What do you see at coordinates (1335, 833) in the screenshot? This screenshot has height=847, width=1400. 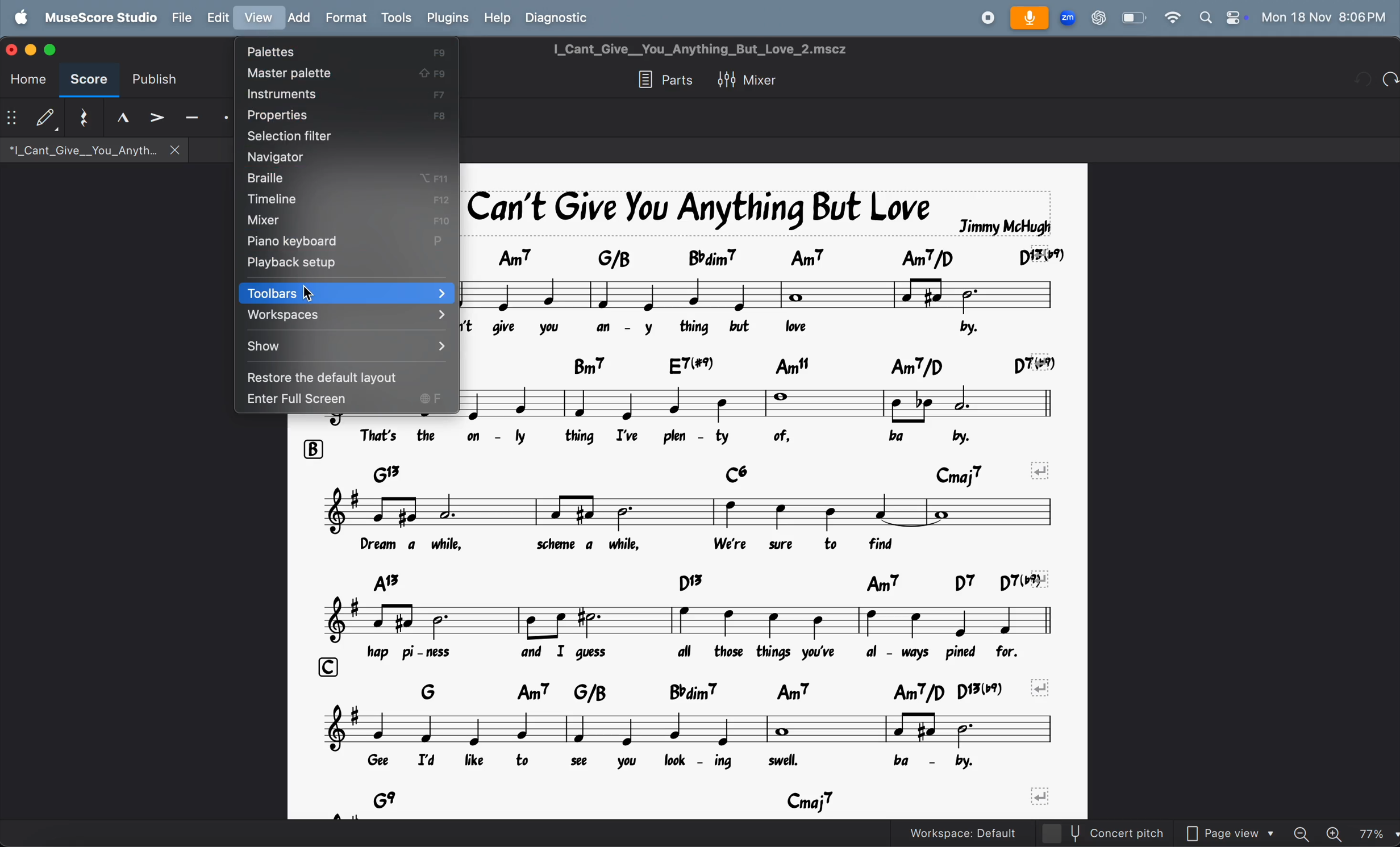 I see `zoom in` at bounding box center [1335, 833].